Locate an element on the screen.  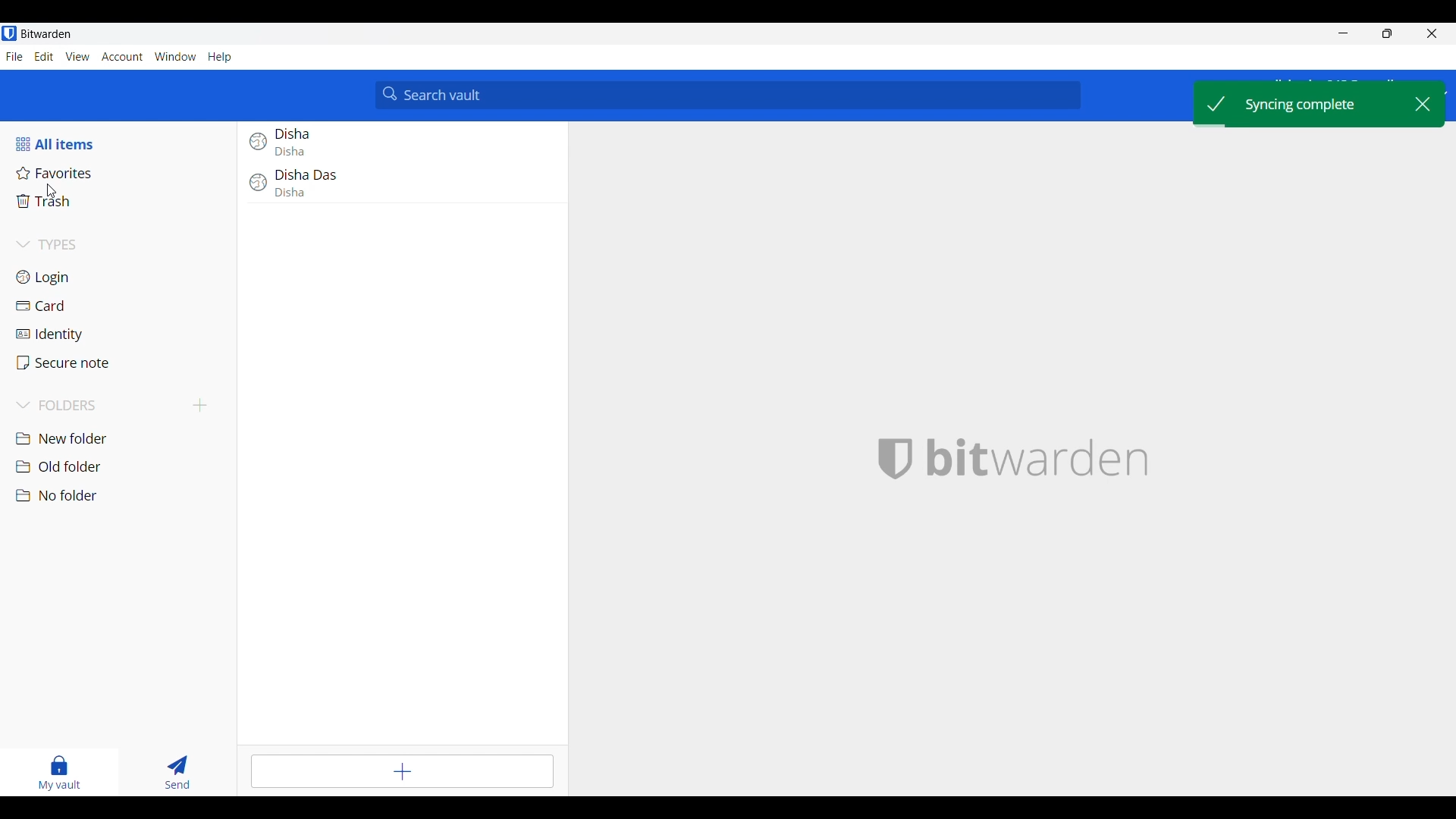
Close interface is located at coordinates (1432, 33).